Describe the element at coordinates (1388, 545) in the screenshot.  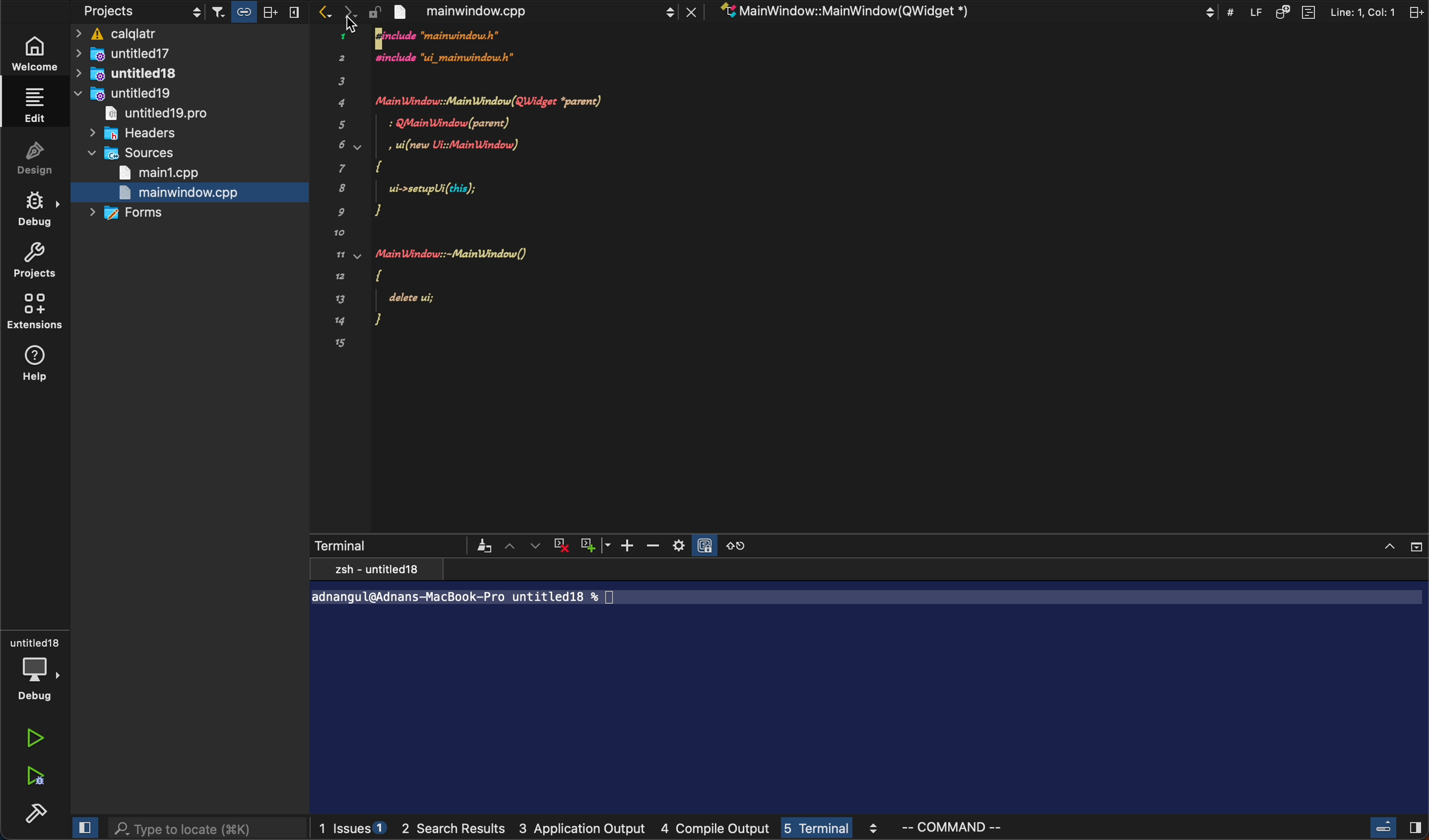
I see `Arrow Up` at that location.